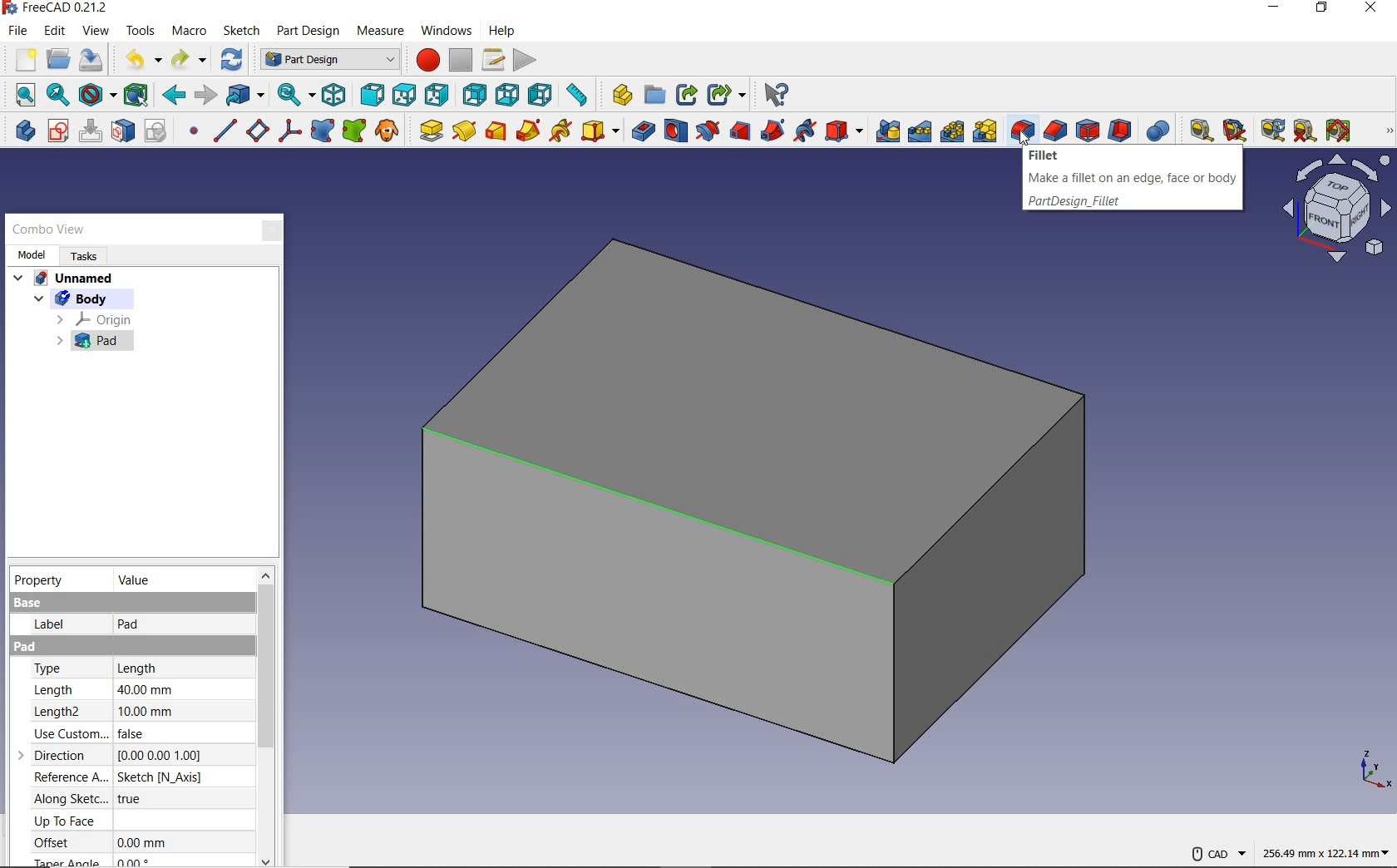 This screenshot has height=868, width=1397. I want to click on redo, so click(190, 60).